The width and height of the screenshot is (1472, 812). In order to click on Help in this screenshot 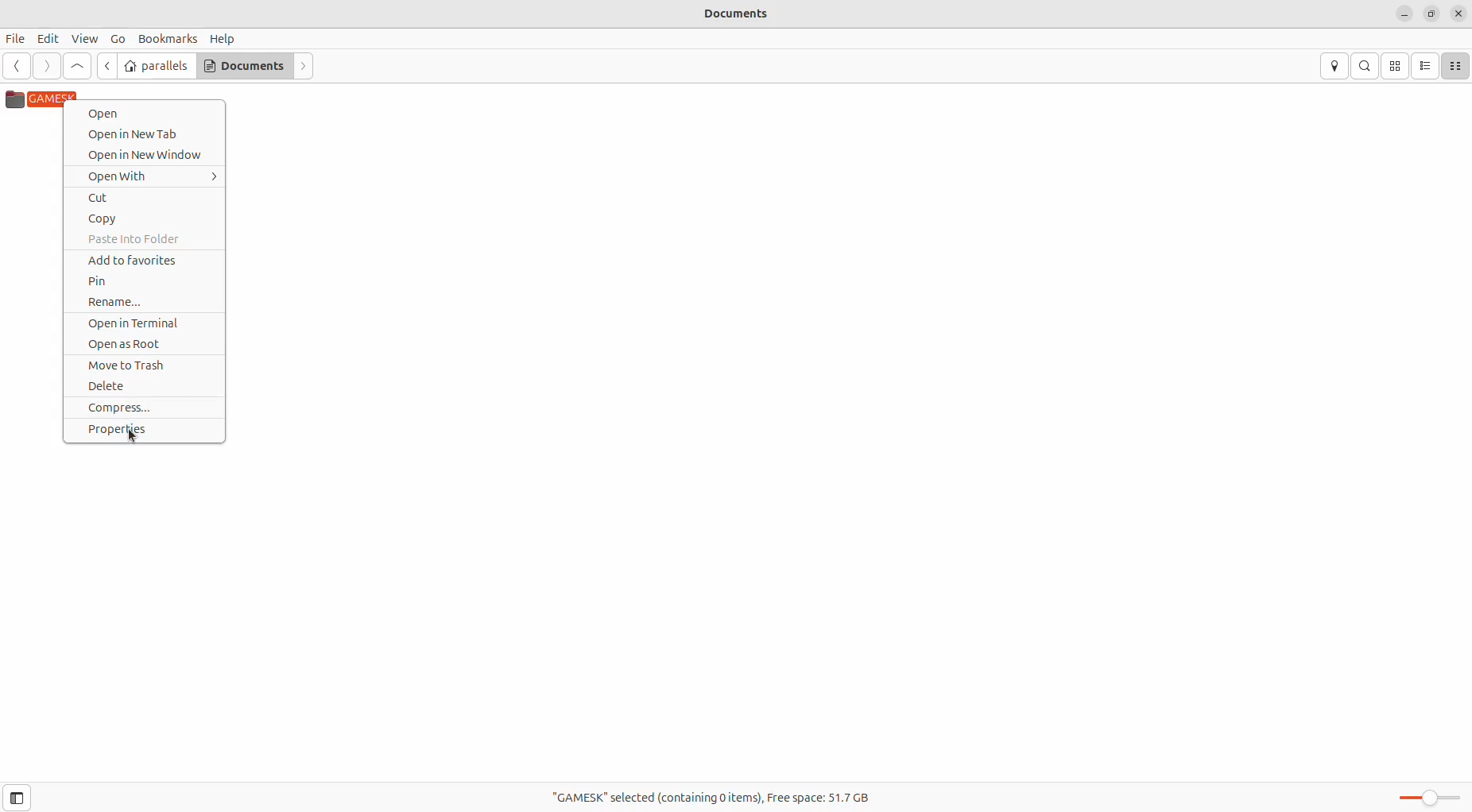, I will do `click(226, 40)`.